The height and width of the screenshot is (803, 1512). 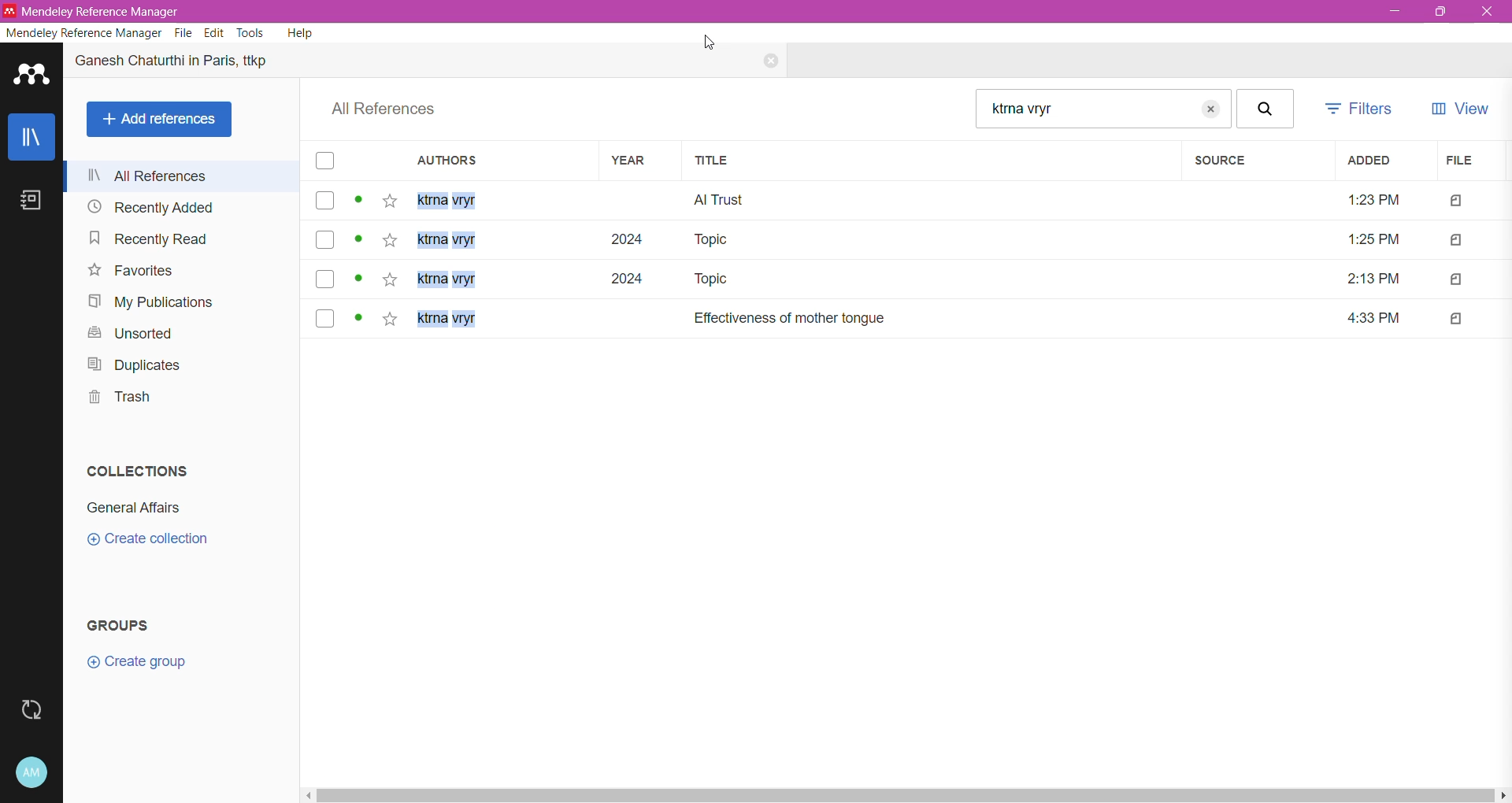 What do you see at coordinates (132, 365) in the screenshot?
I see `Duplicates` at bounding box center [132, 365].